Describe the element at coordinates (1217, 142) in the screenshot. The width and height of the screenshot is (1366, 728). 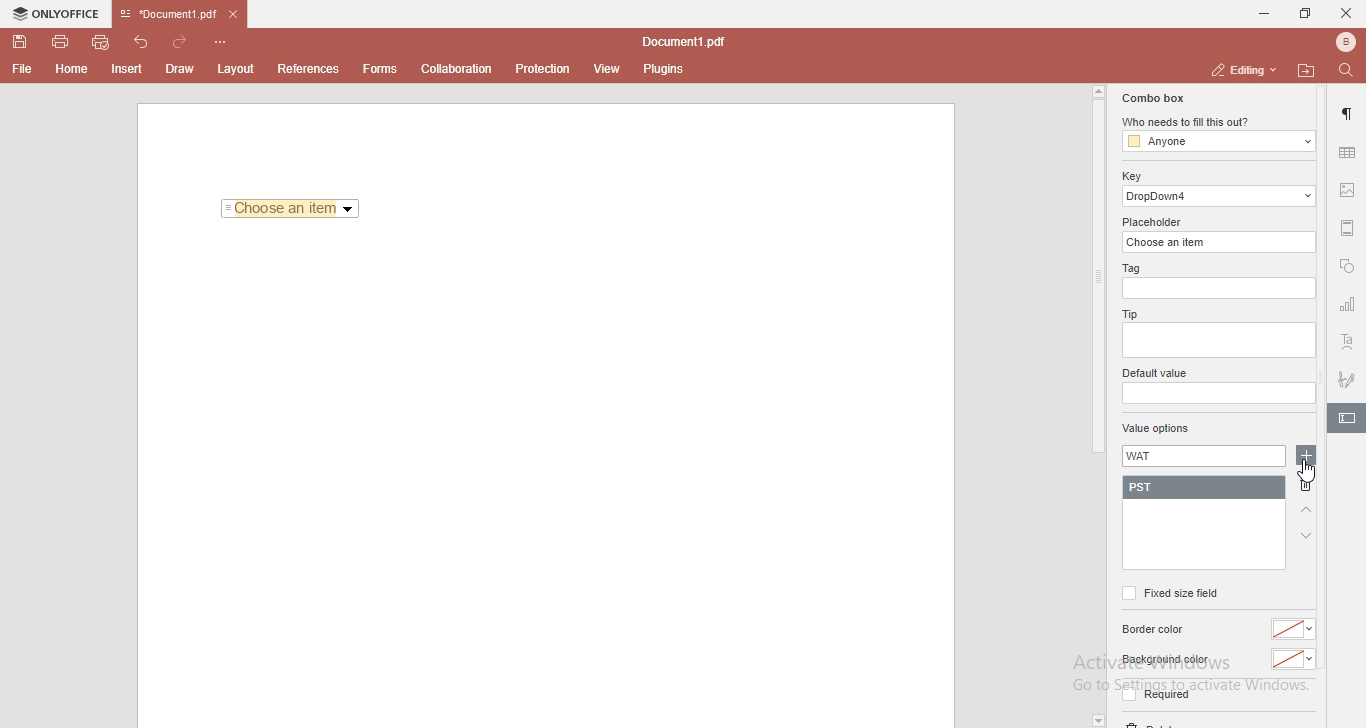
I see `anyone` at that location.